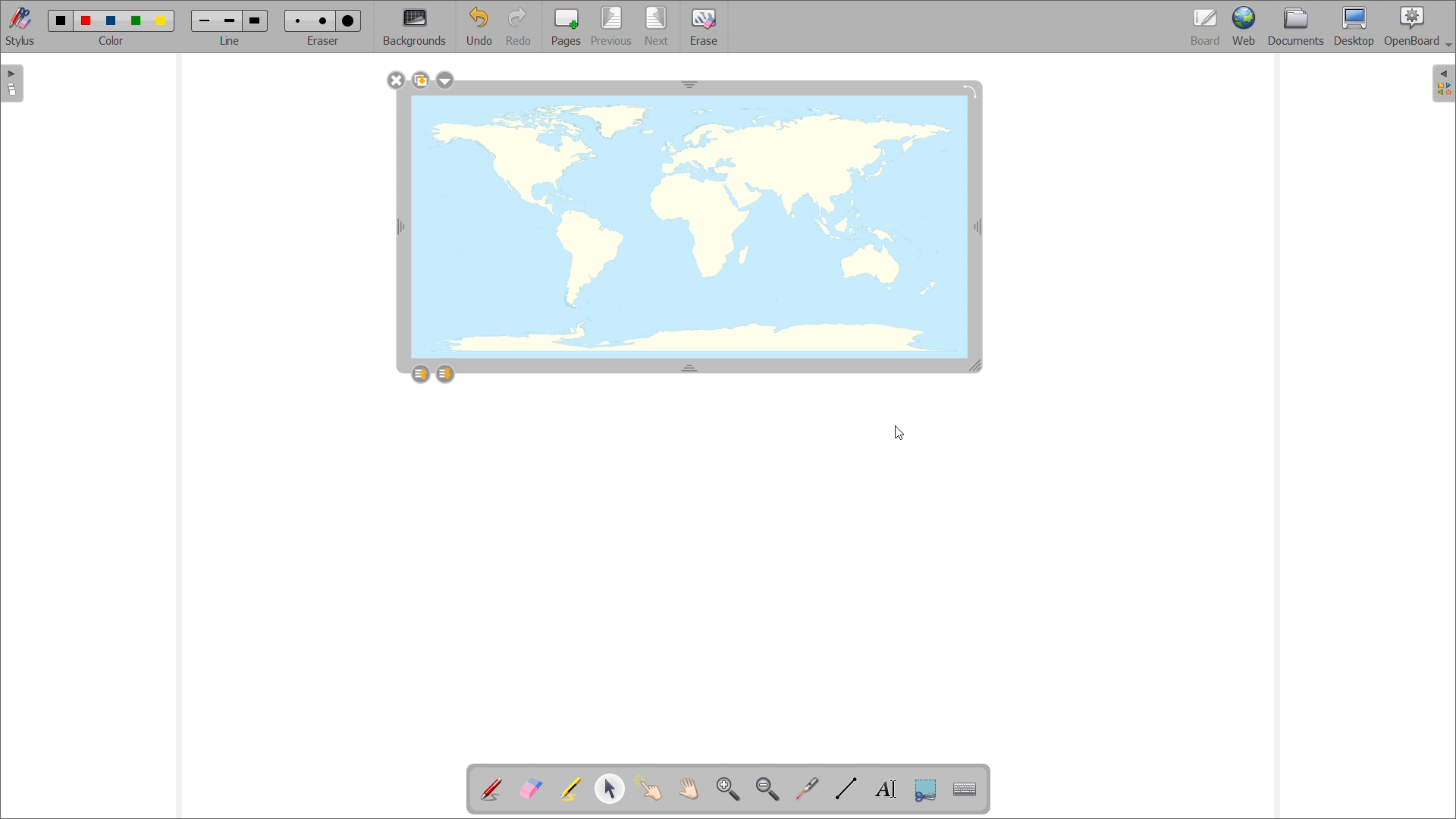  What do you see at coordinates (256, 20) in the screenshot?
I see `large` at bounding box center [256, 20].